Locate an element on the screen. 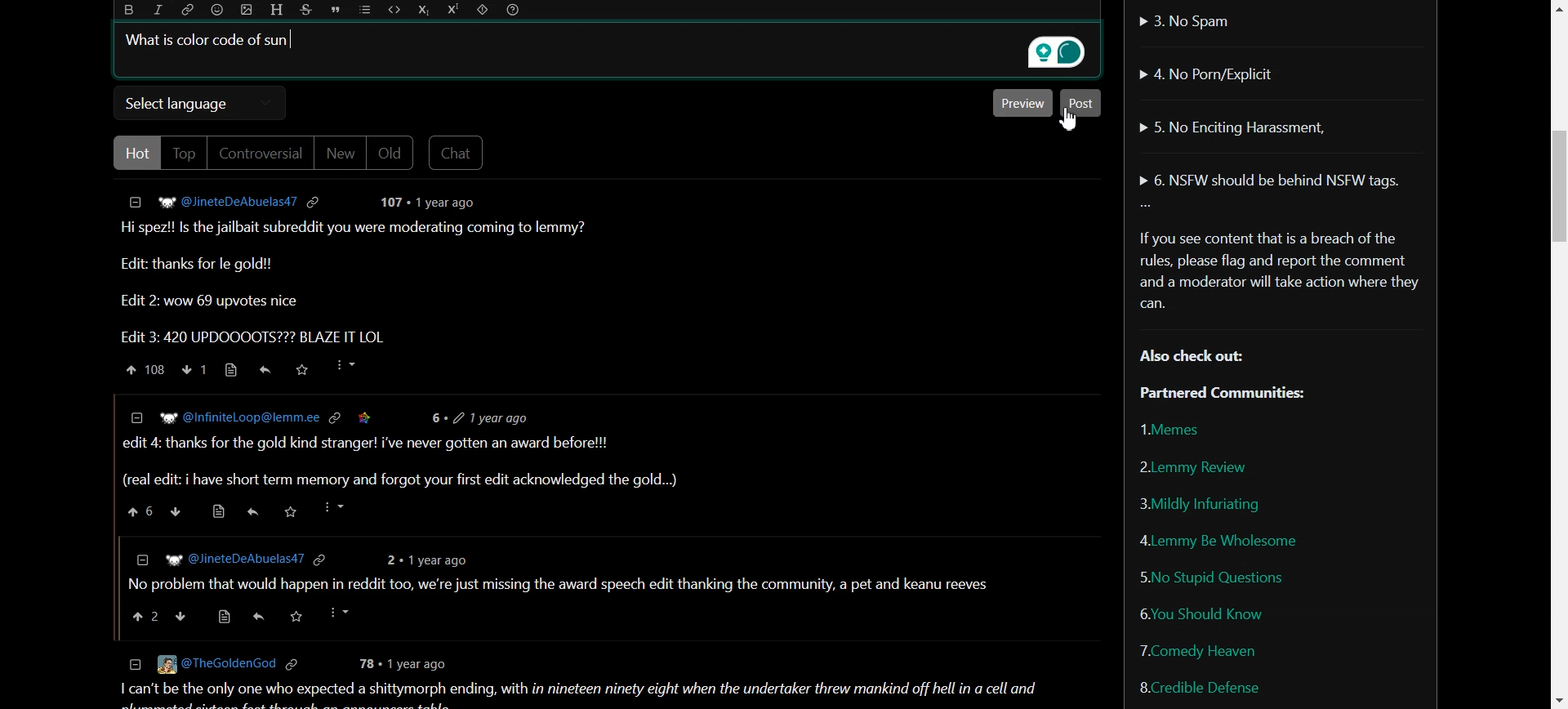 This screenshot has width=1568, height=709. upvote is located at coordinates (139, 510).